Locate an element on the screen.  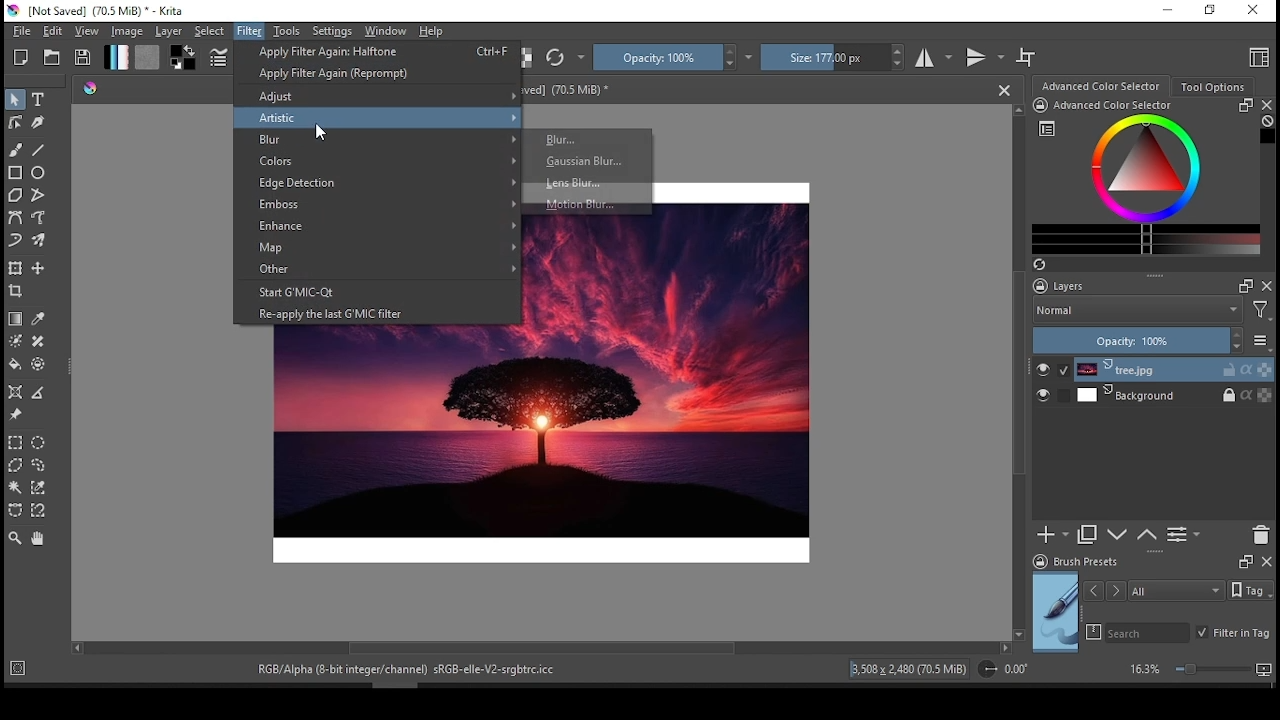
fill tool is located at coordinates (15, 364).